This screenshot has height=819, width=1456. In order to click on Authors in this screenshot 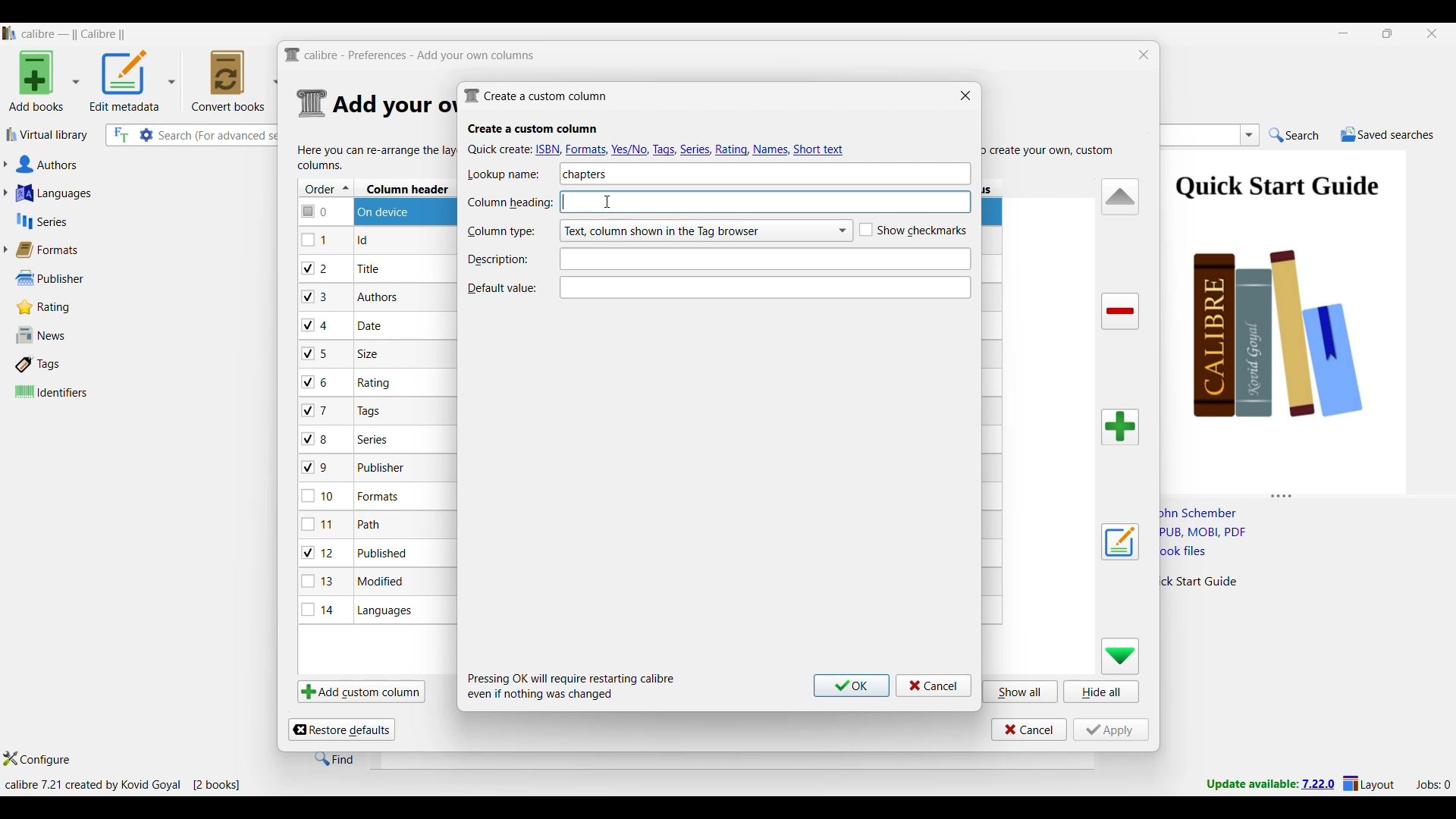, I will do `click(120, 165)`.